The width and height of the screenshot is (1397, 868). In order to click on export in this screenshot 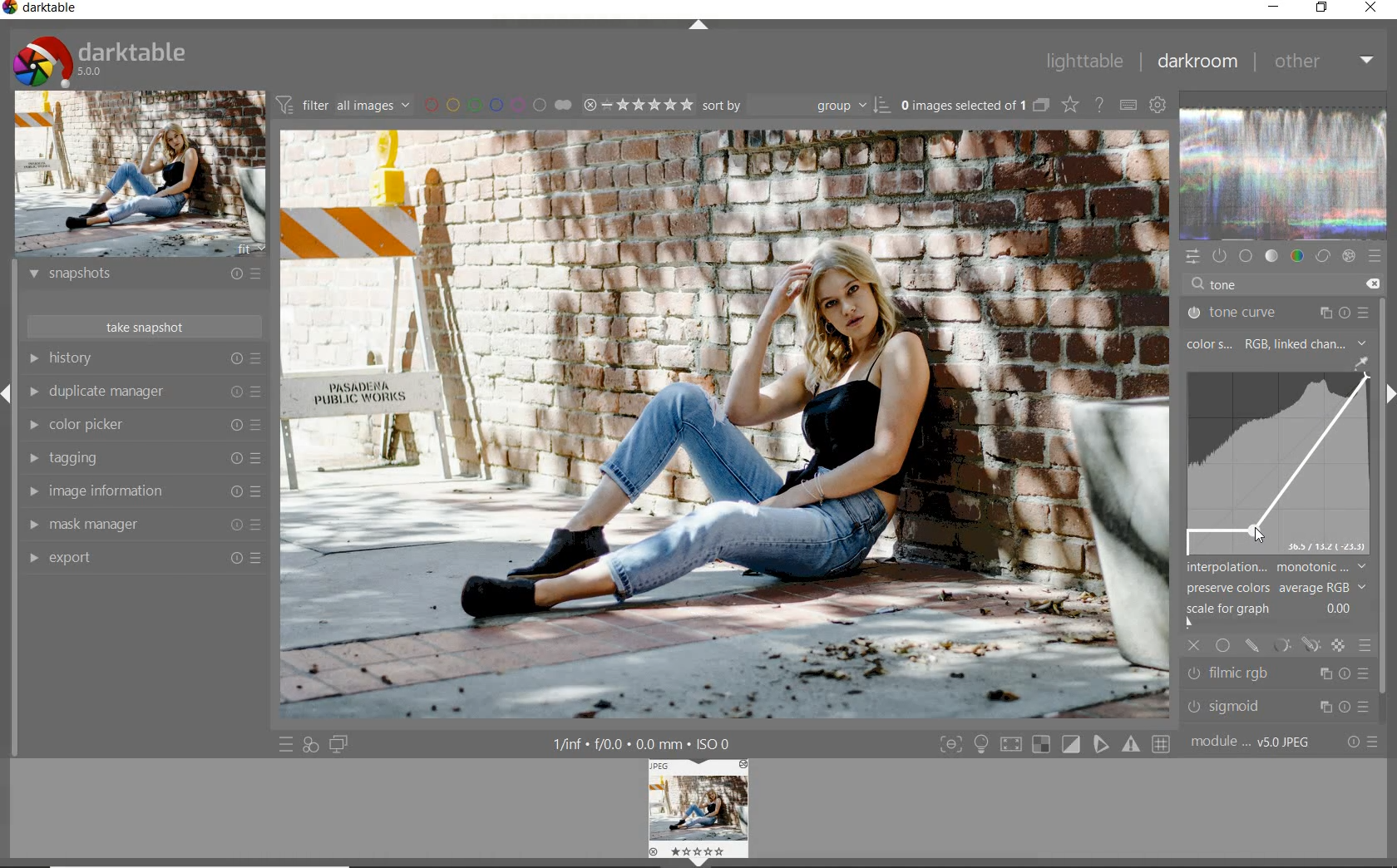, I will do `click(141, 557)`.